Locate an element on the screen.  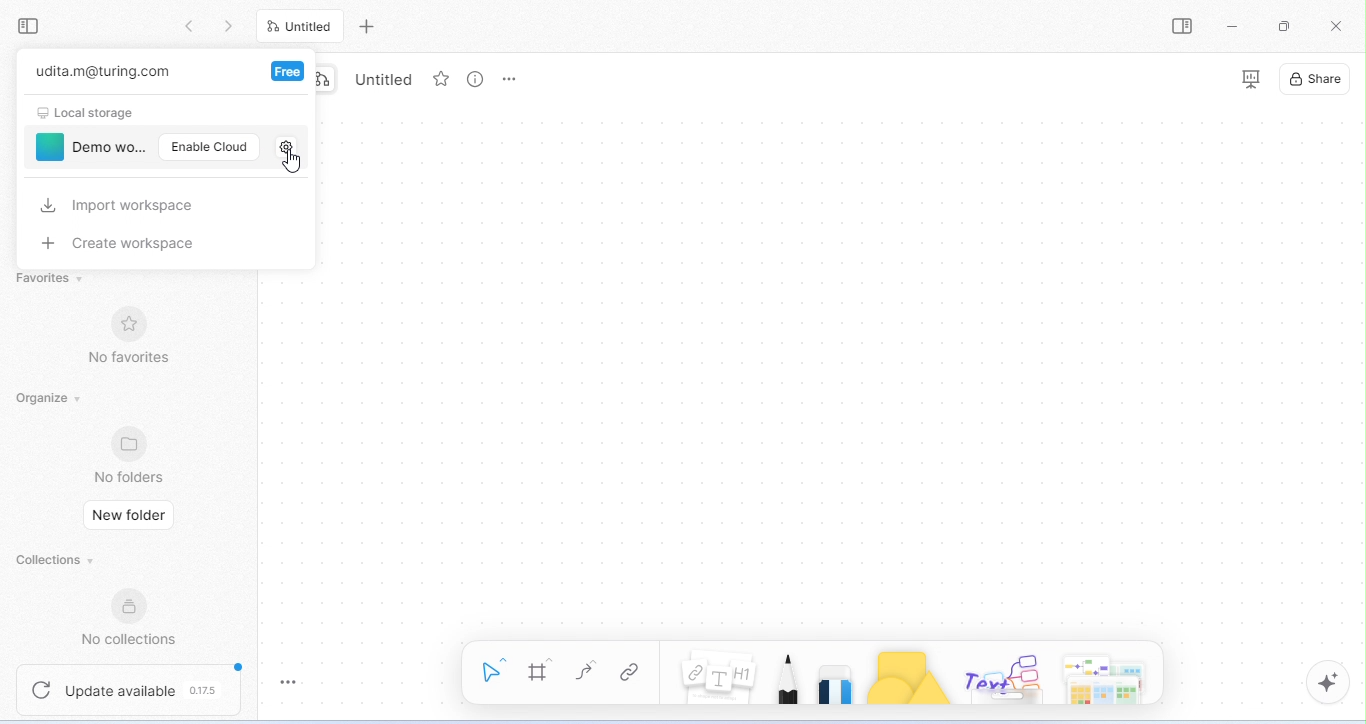
enable cloud is located at coordinates (208, 146).